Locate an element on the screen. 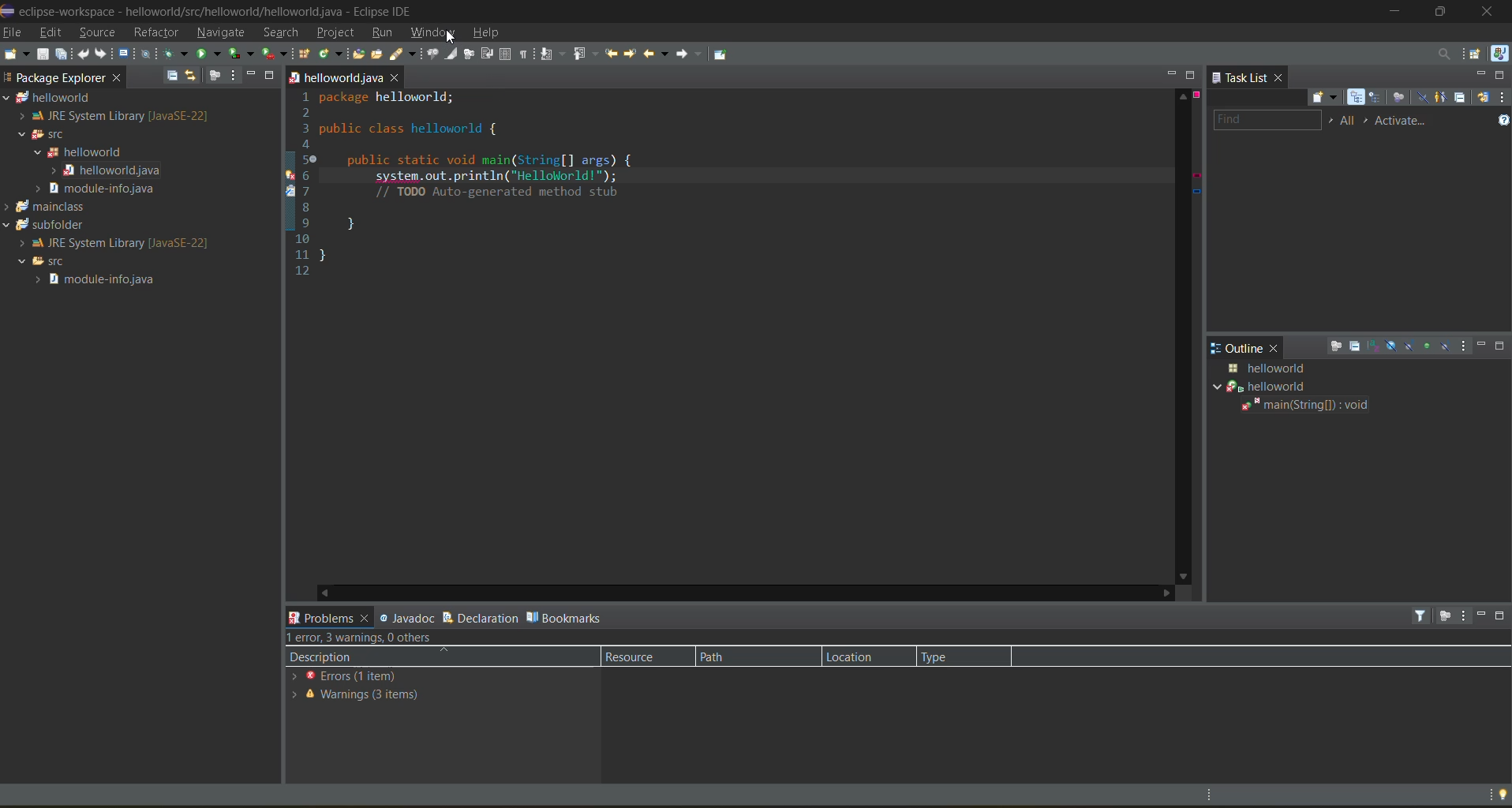  error, 3 warning, 0 others is located at coordinates (414, 639).